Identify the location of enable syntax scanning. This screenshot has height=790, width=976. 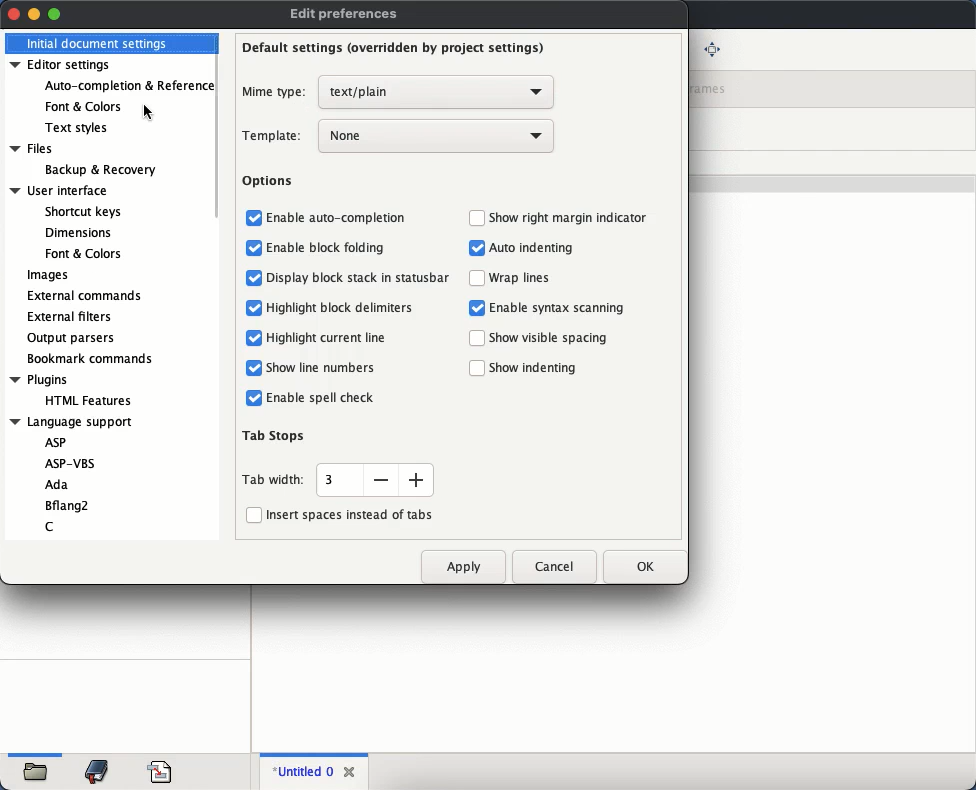
(547, 309).